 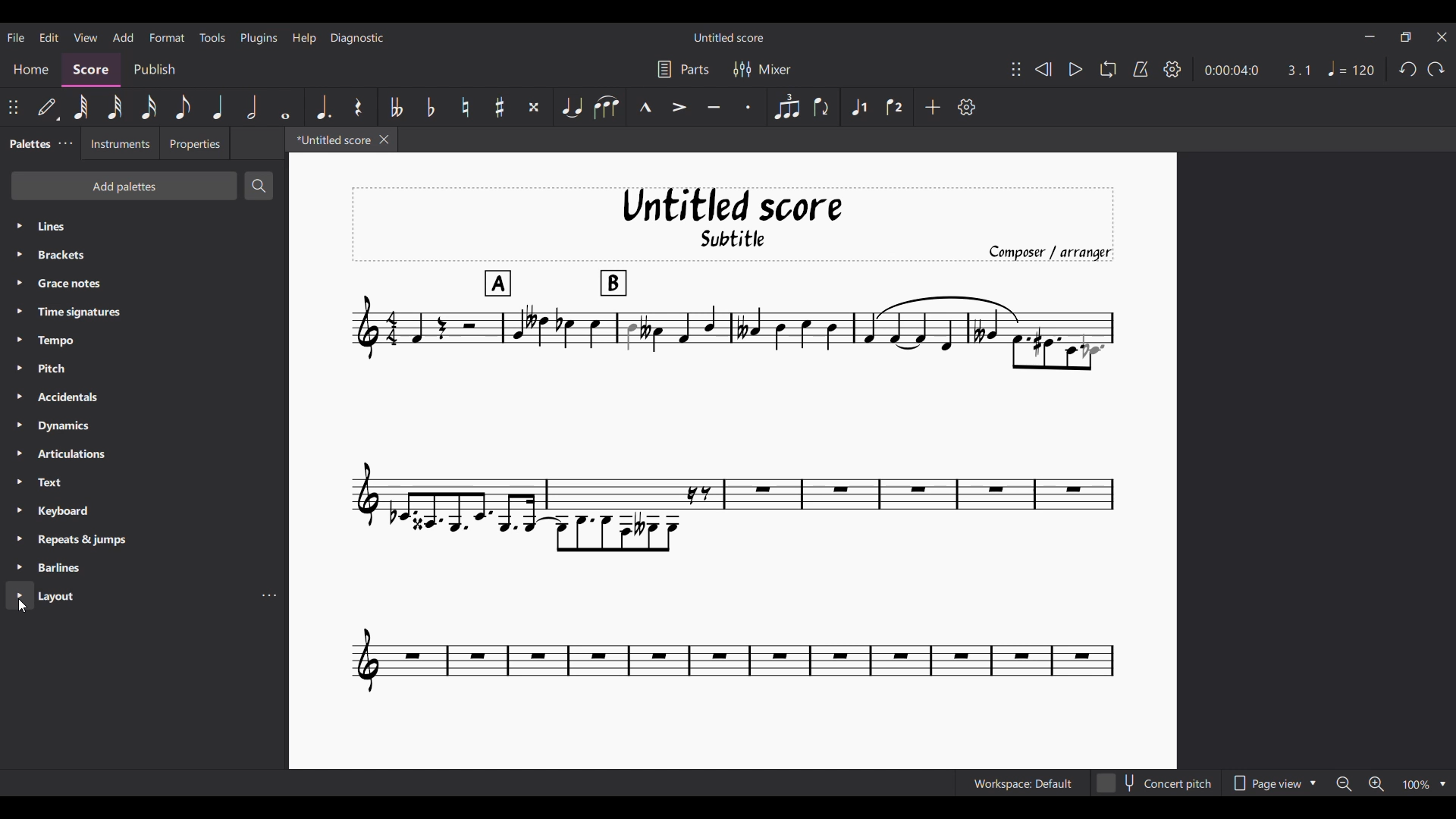 What do you see at coordinates (1298, 70) in the screenshot?
I see `3.1` at bounding box center [1298, 70].